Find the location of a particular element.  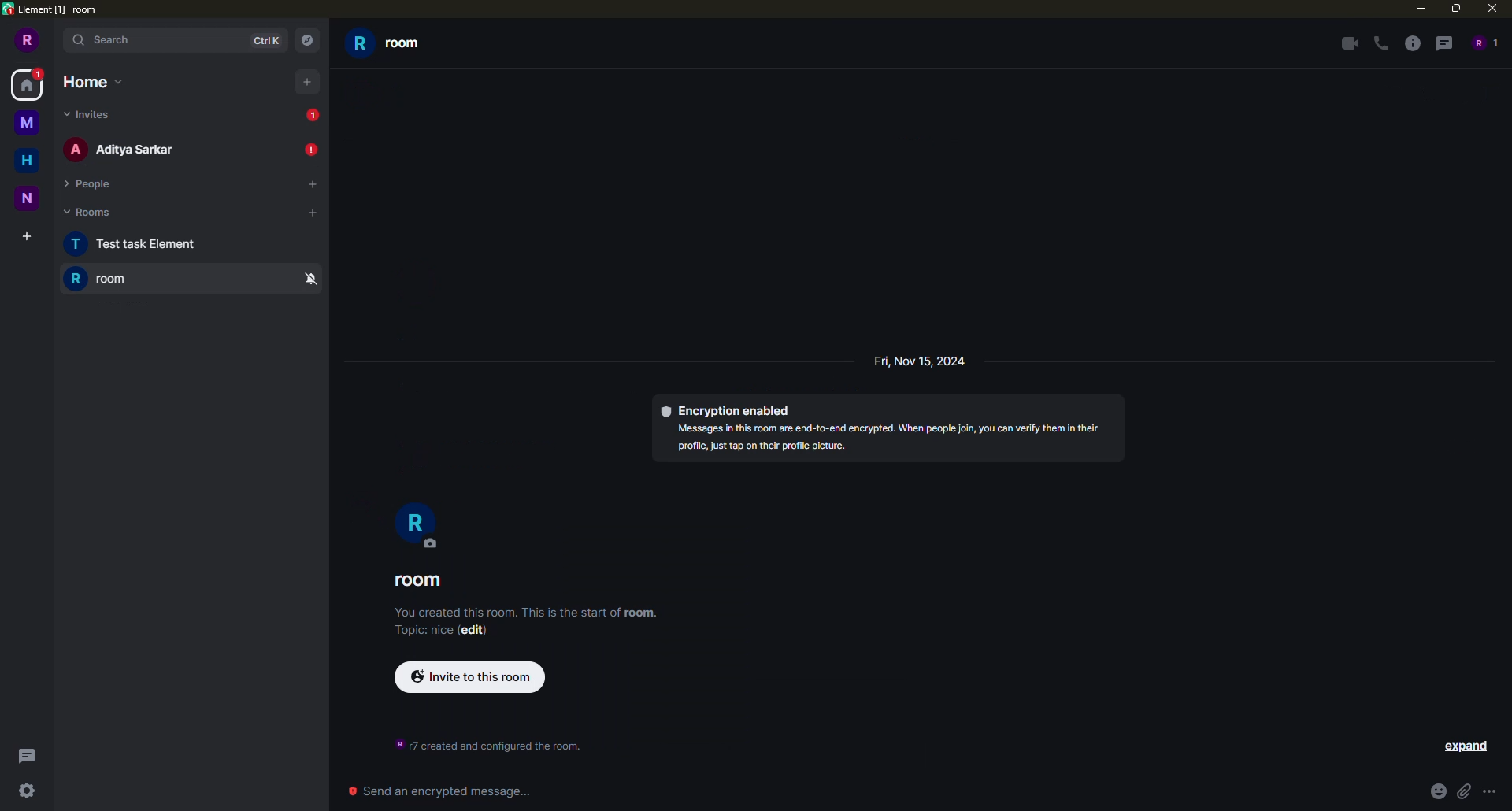

room is located at coordinates (103, 279).